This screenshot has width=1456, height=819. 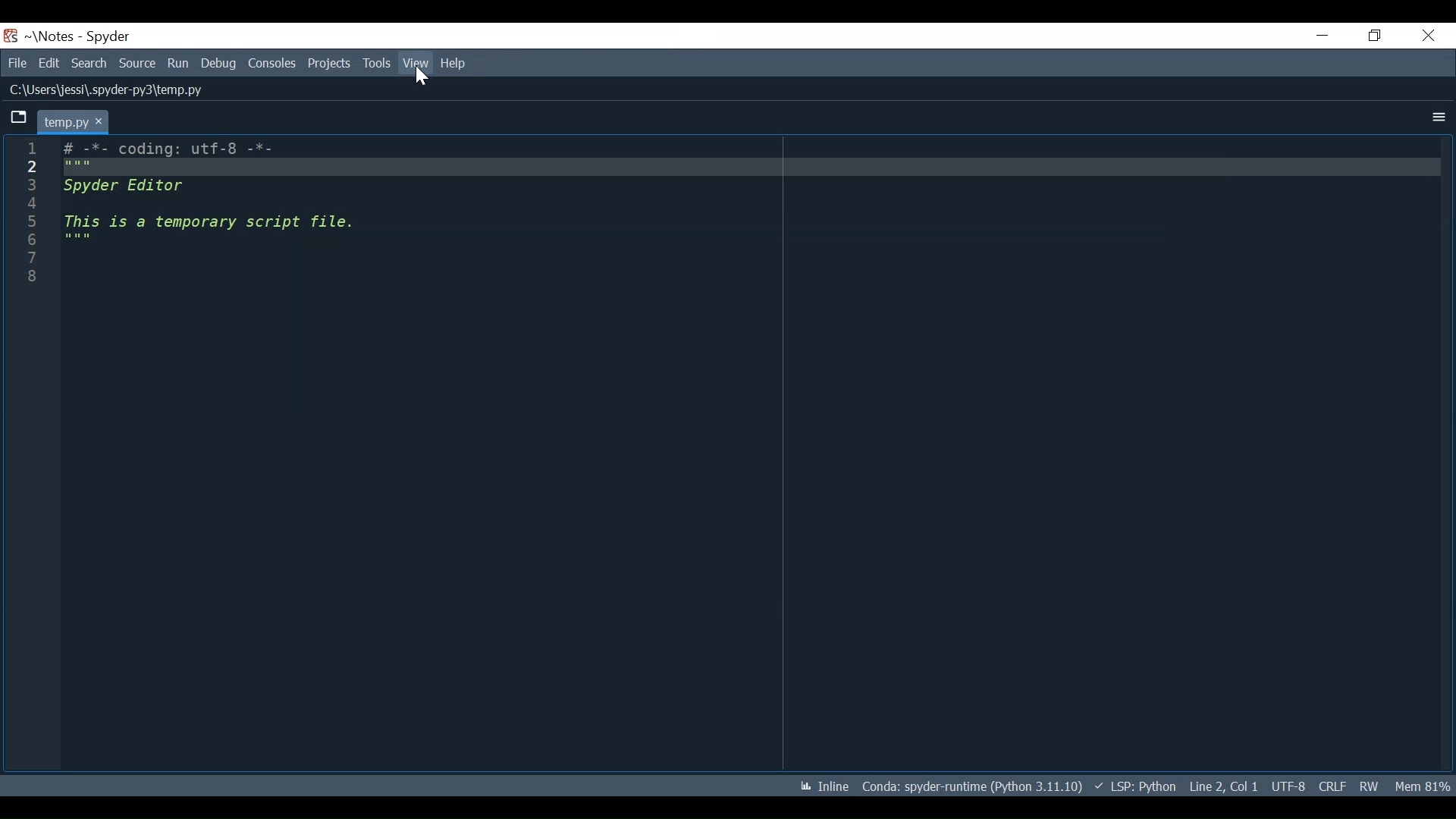 I want to click on Run, so click(x=179, y=63).